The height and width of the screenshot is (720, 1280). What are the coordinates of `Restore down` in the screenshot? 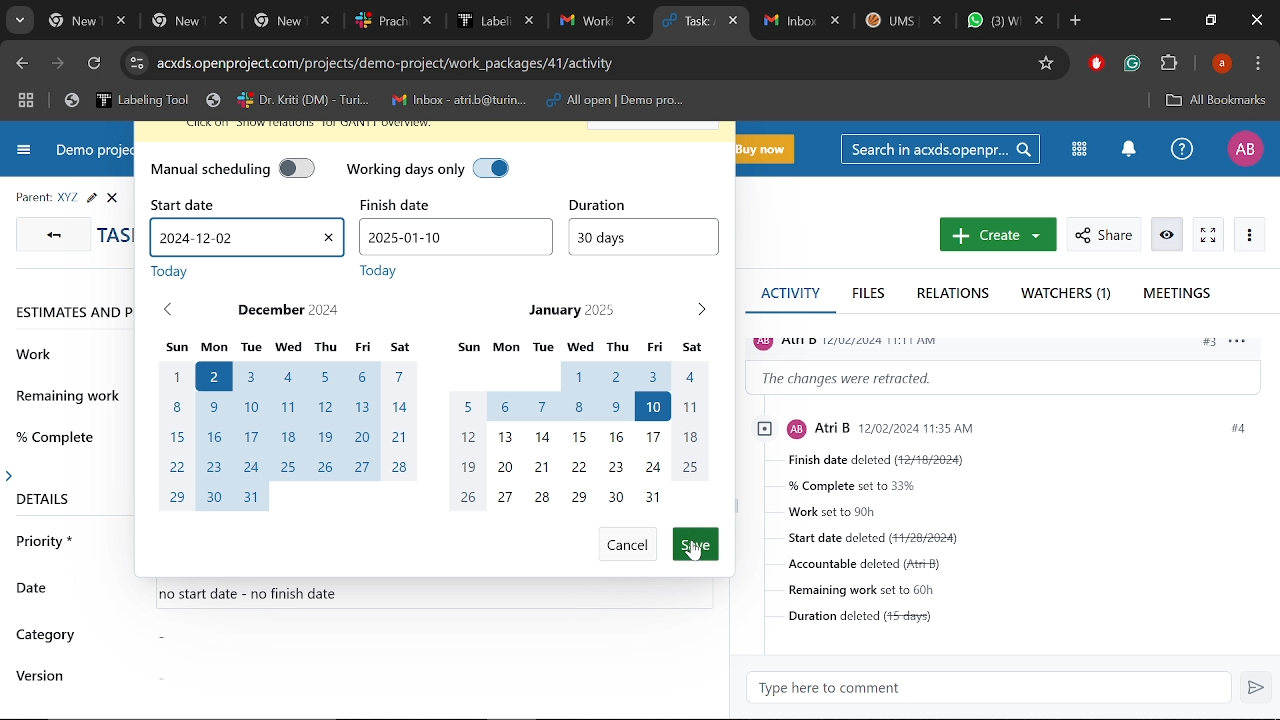 It's located at (1212, 20).